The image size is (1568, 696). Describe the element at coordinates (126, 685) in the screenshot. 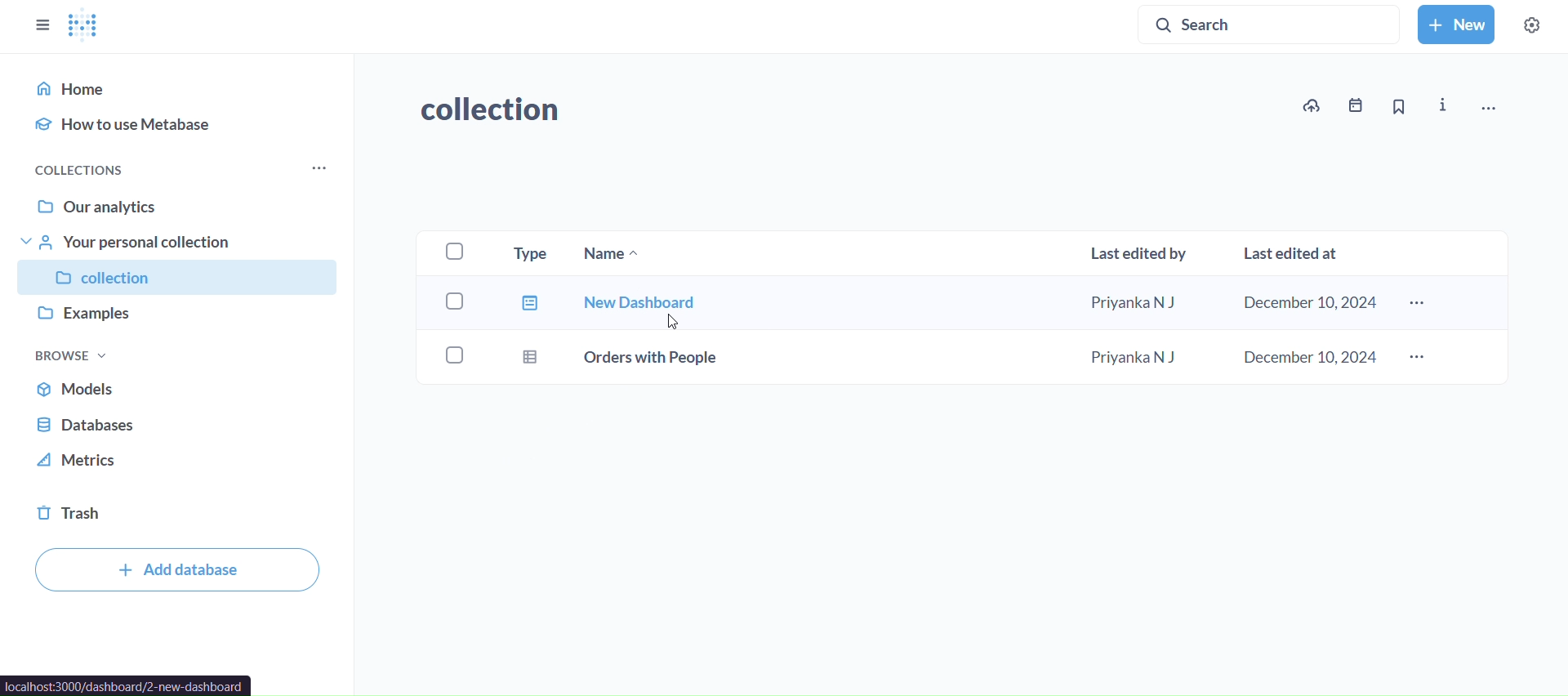

I see `url` at that location.